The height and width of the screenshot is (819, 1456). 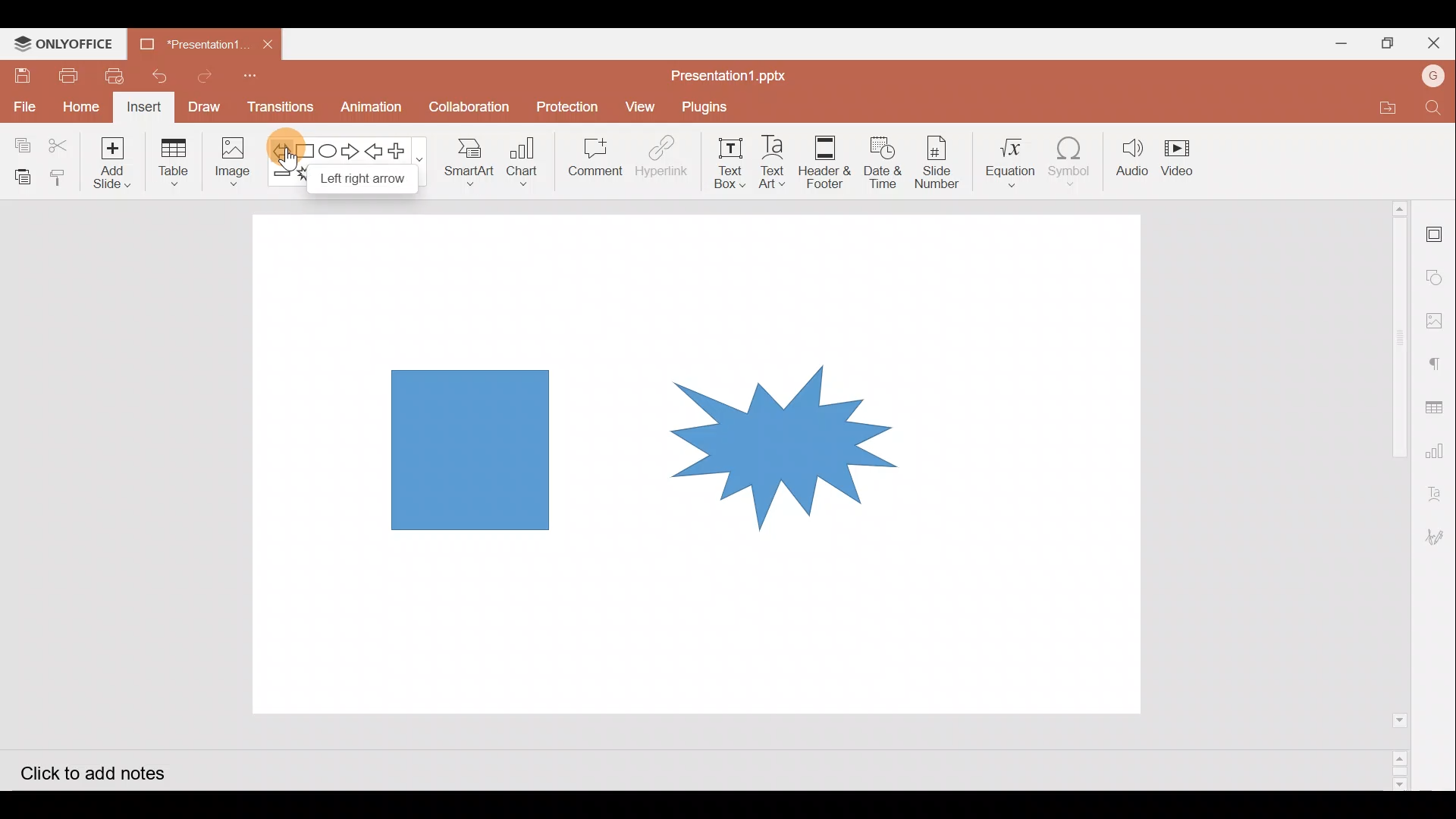 I want to click on Rectangle, so click(x=302, y=149).